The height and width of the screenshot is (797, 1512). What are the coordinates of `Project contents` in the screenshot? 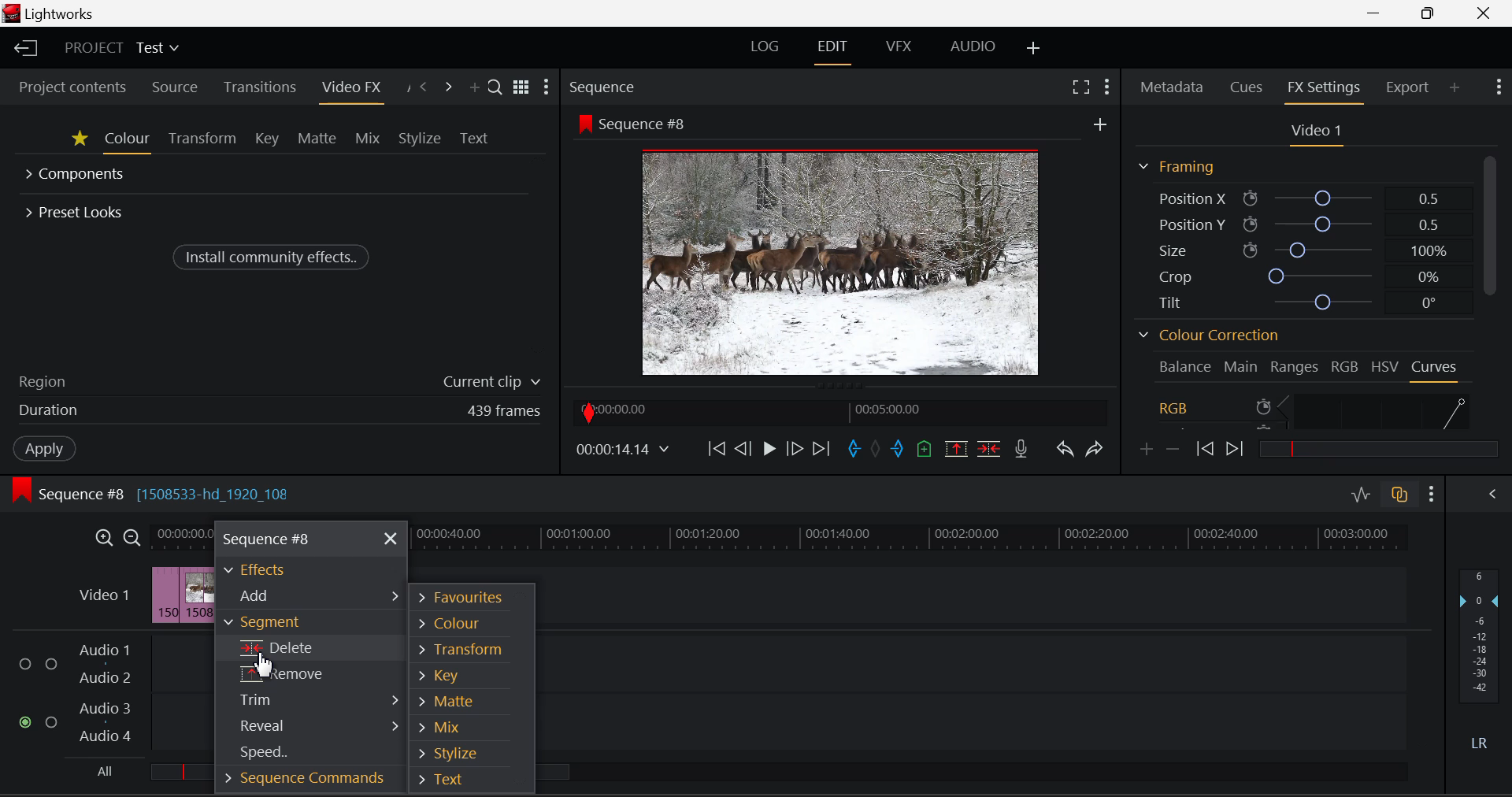 It's located at (72, 87).